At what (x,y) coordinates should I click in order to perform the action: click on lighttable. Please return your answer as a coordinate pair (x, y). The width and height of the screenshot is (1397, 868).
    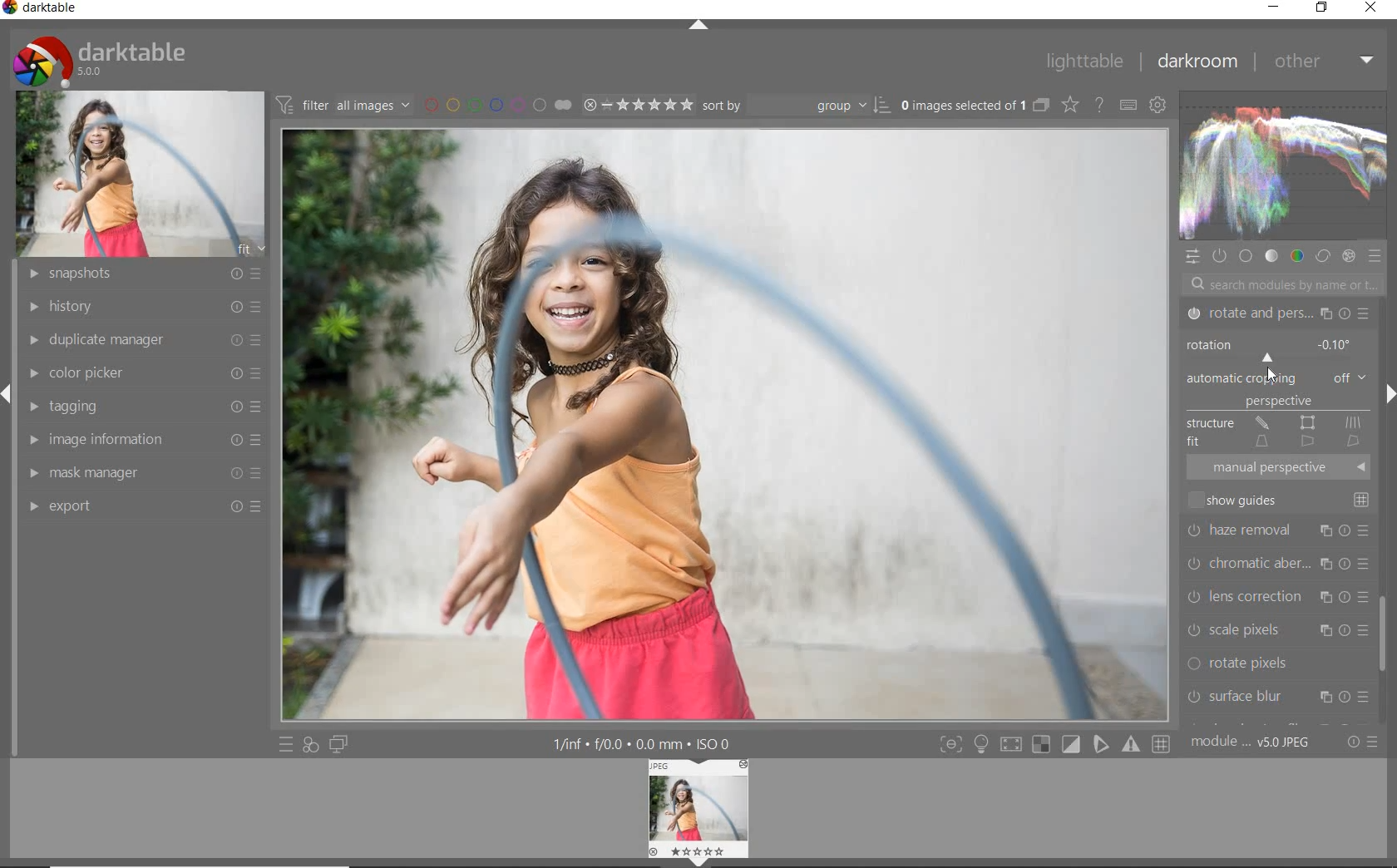
    Looking at the image, I should click on (1084, 62).